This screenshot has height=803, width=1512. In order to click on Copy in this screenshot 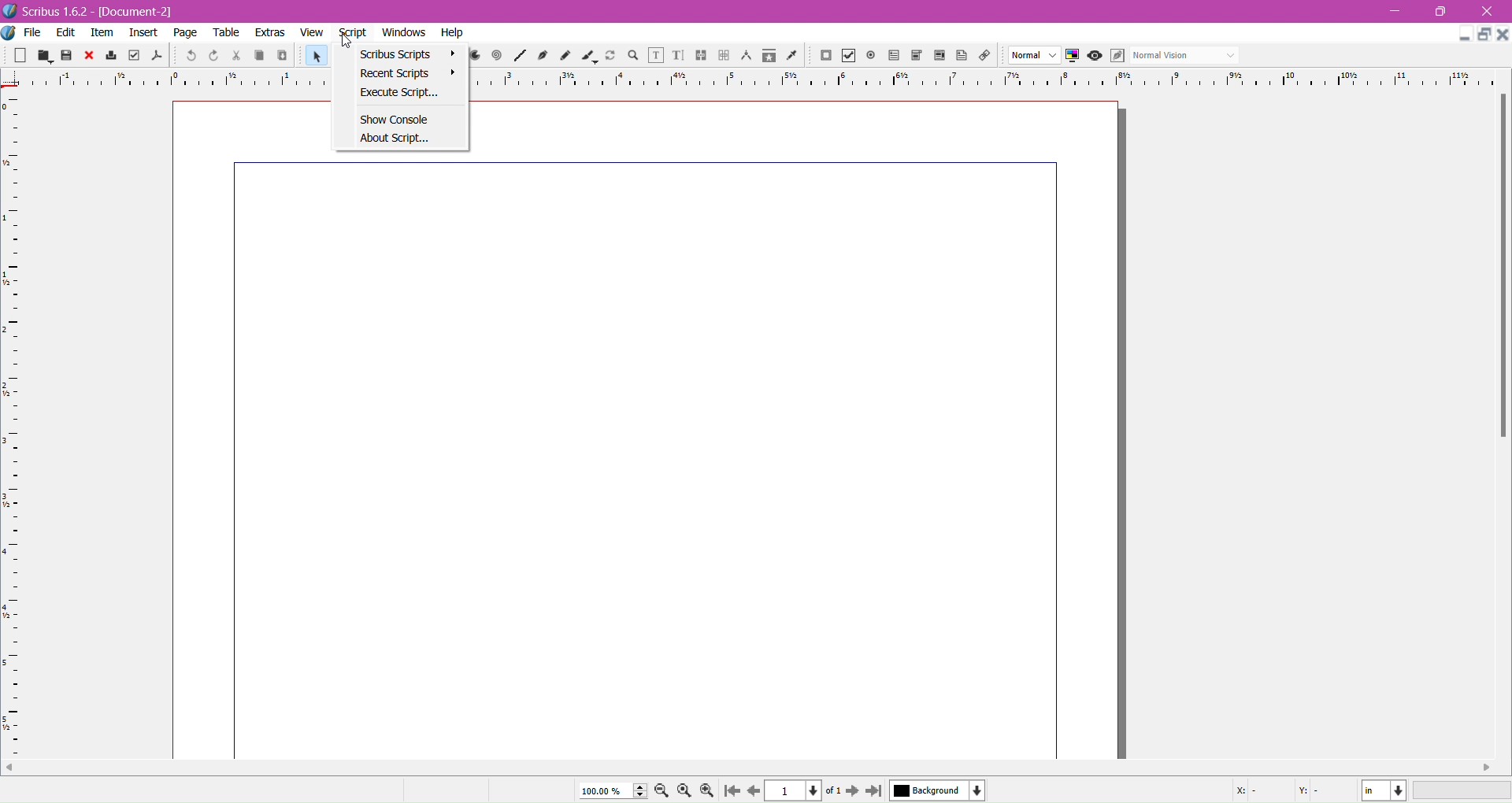, I will do `click(260, 55)`.